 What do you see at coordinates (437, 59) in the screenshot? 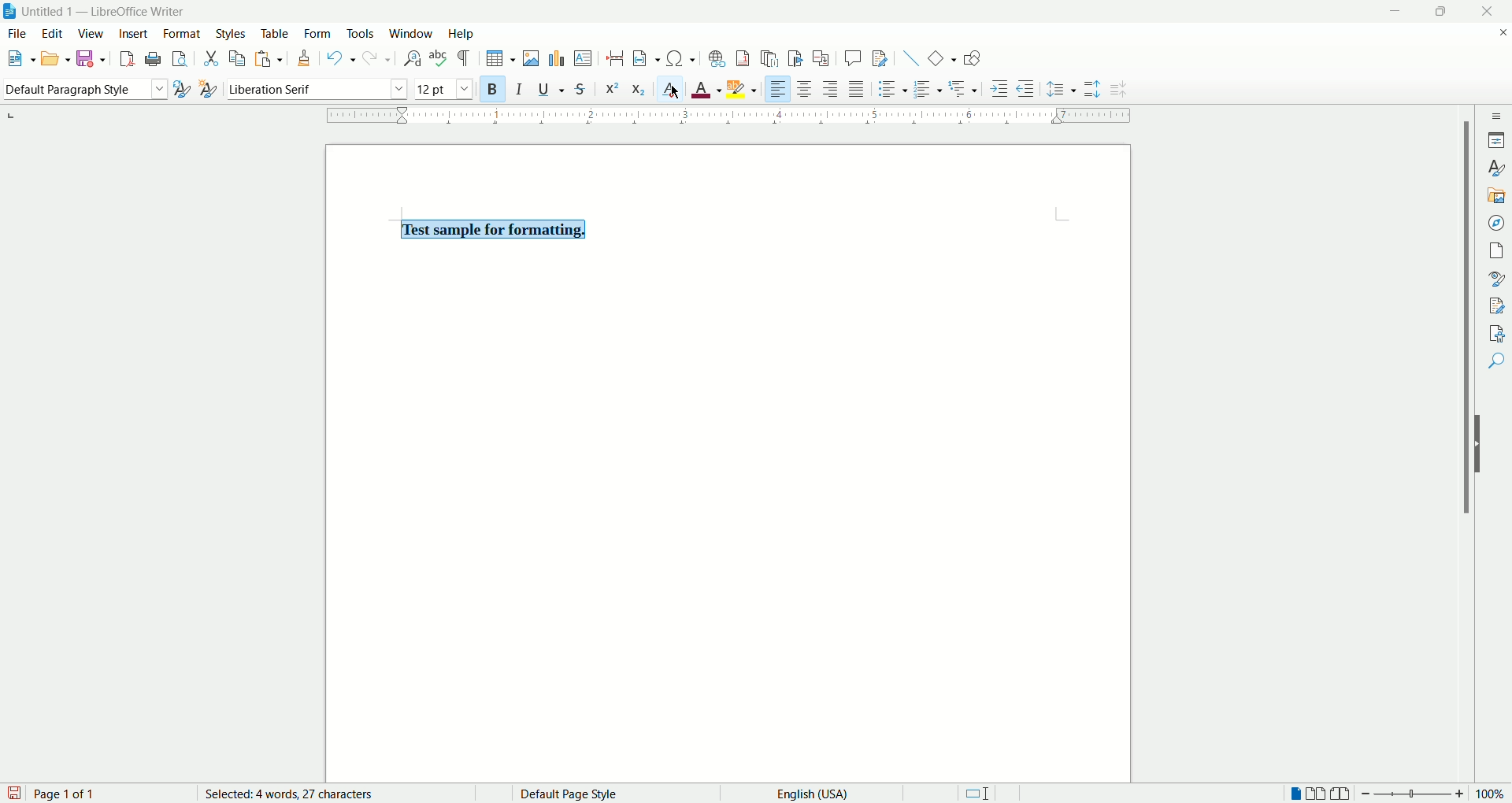
I see `spelling` at bounding box center [437, 59].